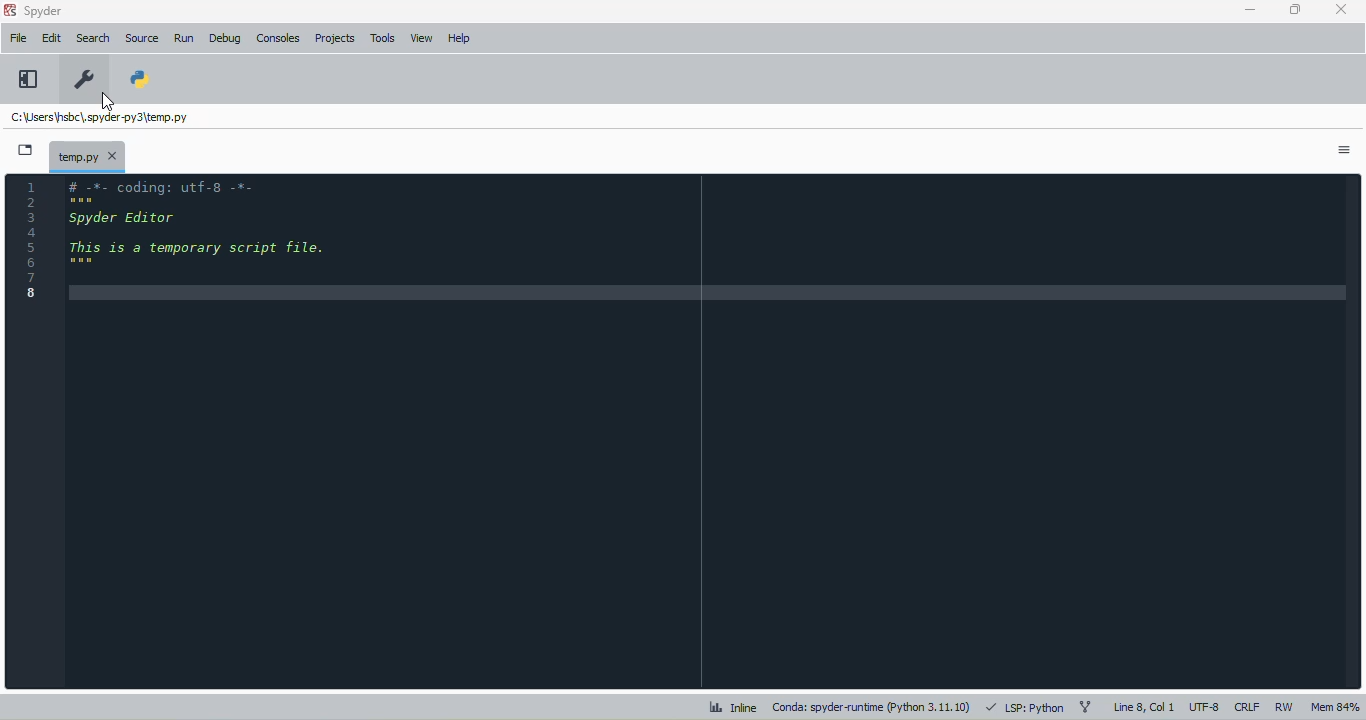 The width and height of the screenshot is (1366, 720). I want to click on conda: spyder-runtime (python 3. 11. 10), so click(873, 706).